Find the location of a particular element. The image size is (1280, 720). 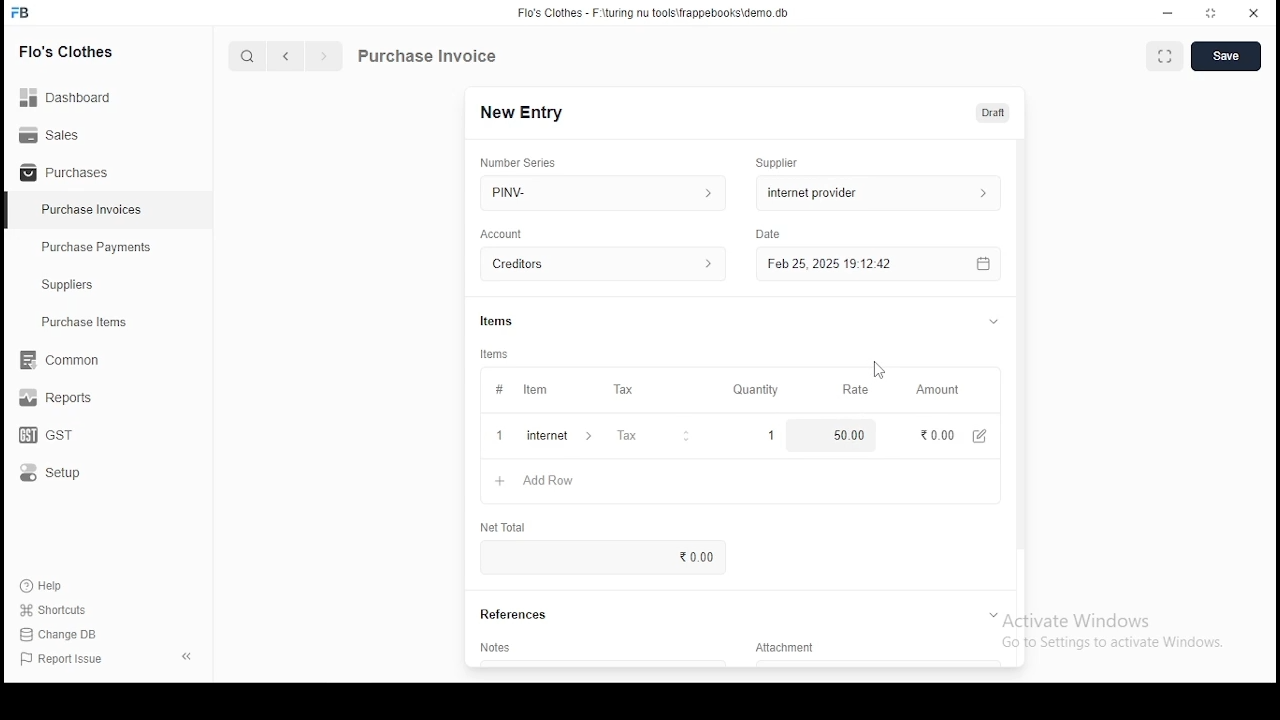

50.00 is located at coordinates (843, 434).